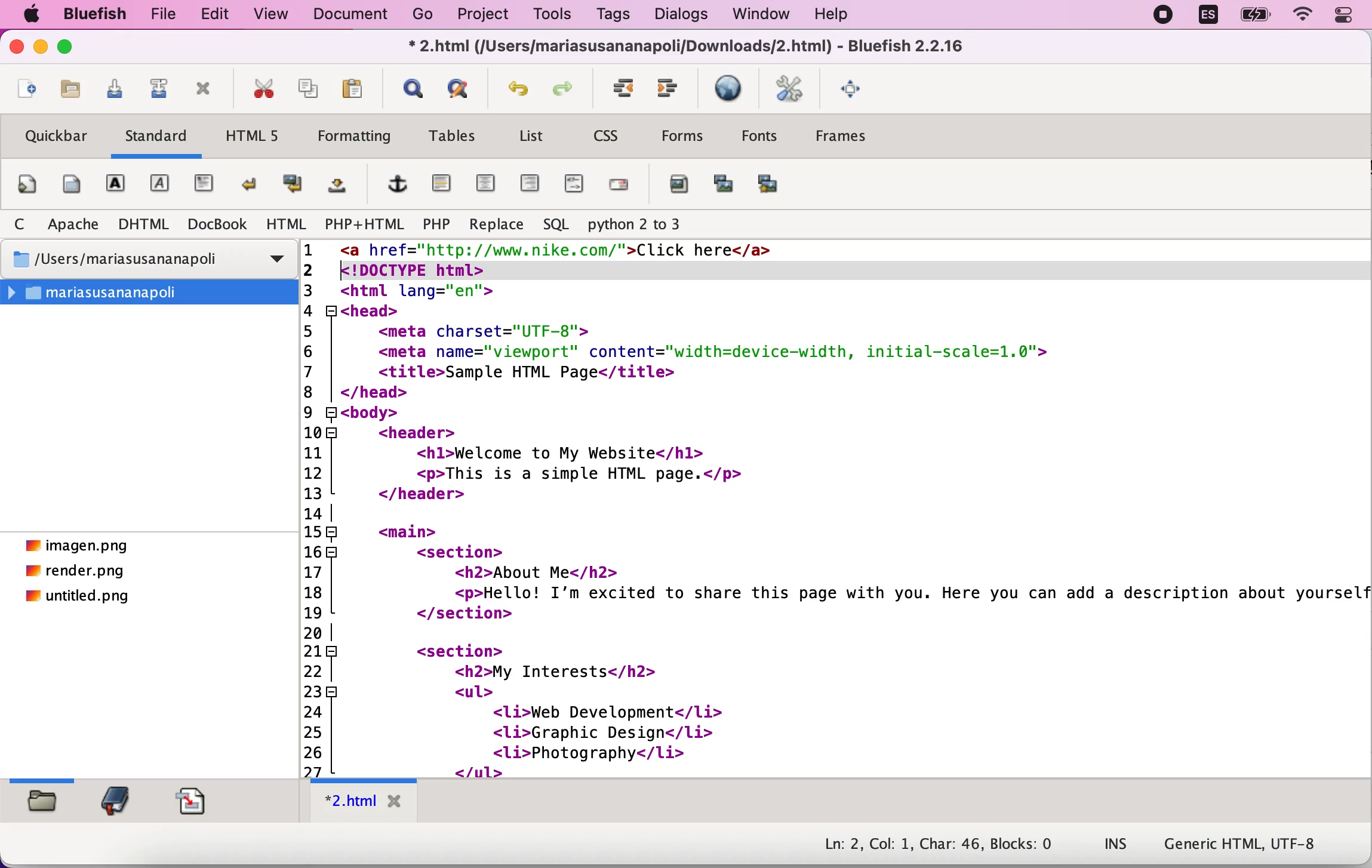 The width and height of the screenshot is (1372, 868). I want to click on bookmark, so click(112, 801).